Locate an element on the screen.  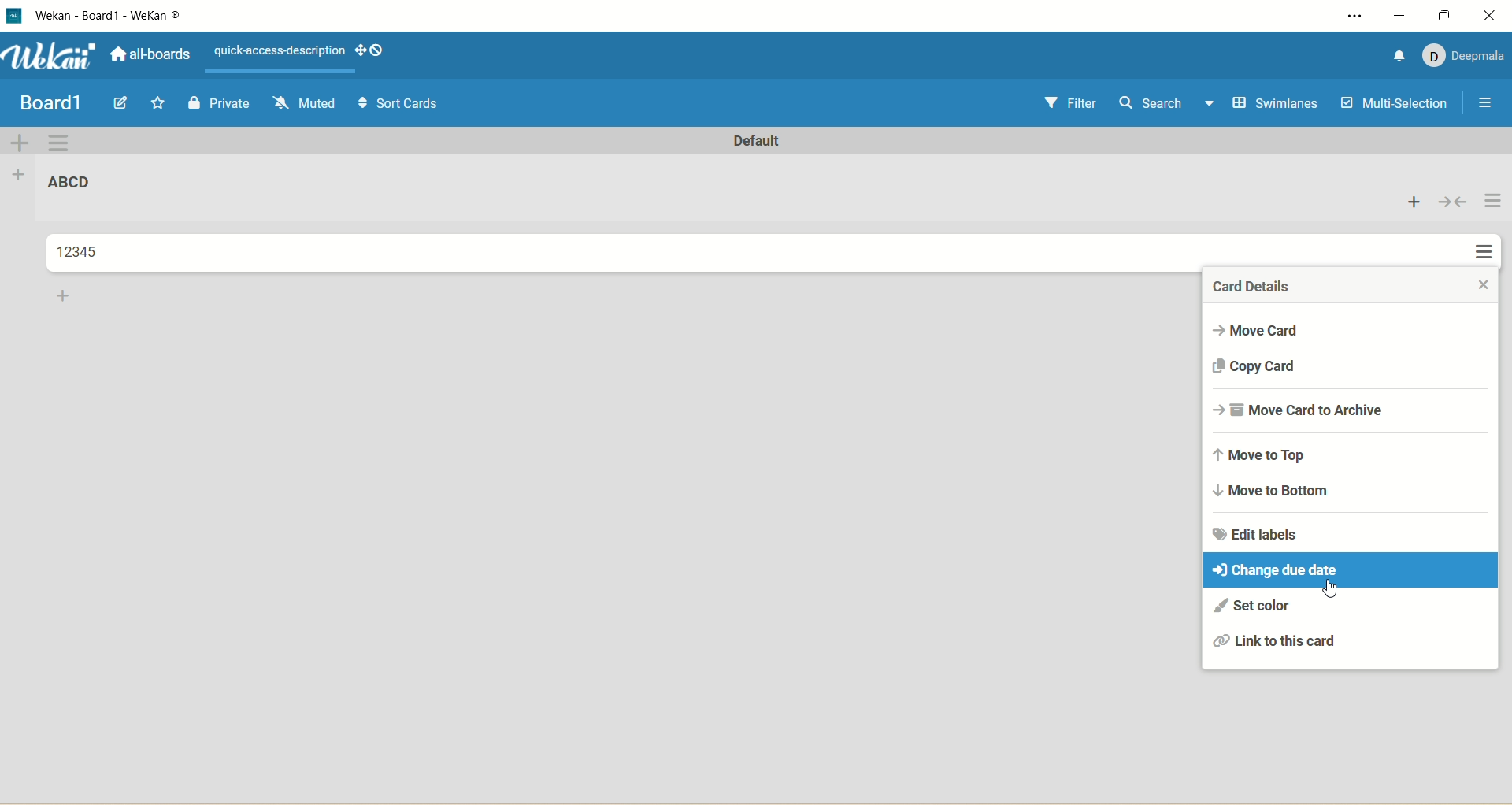
sort cards is located at coordinates (402, 103).